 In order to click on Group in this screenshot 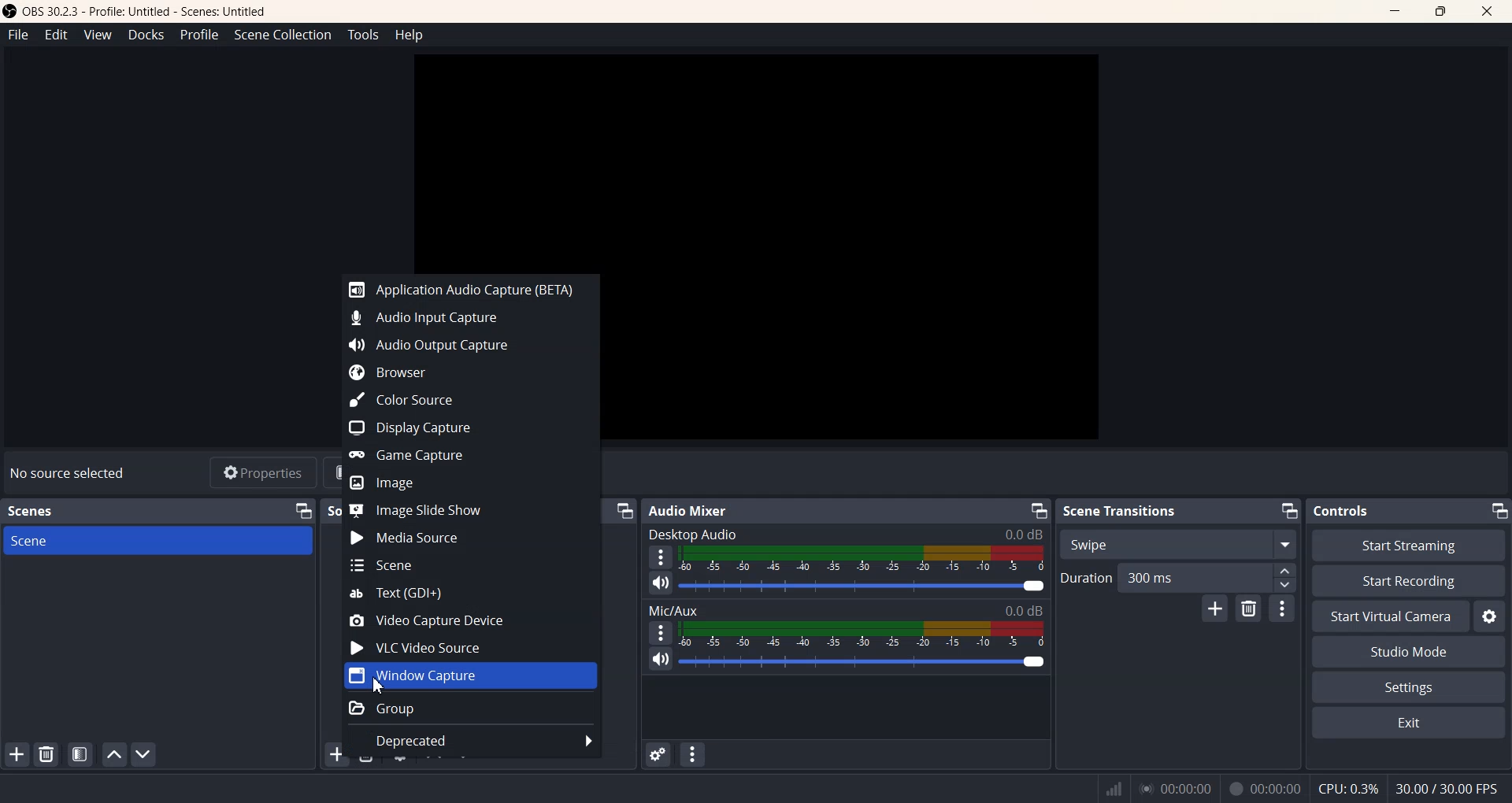, I will do `click(469, 707)`.